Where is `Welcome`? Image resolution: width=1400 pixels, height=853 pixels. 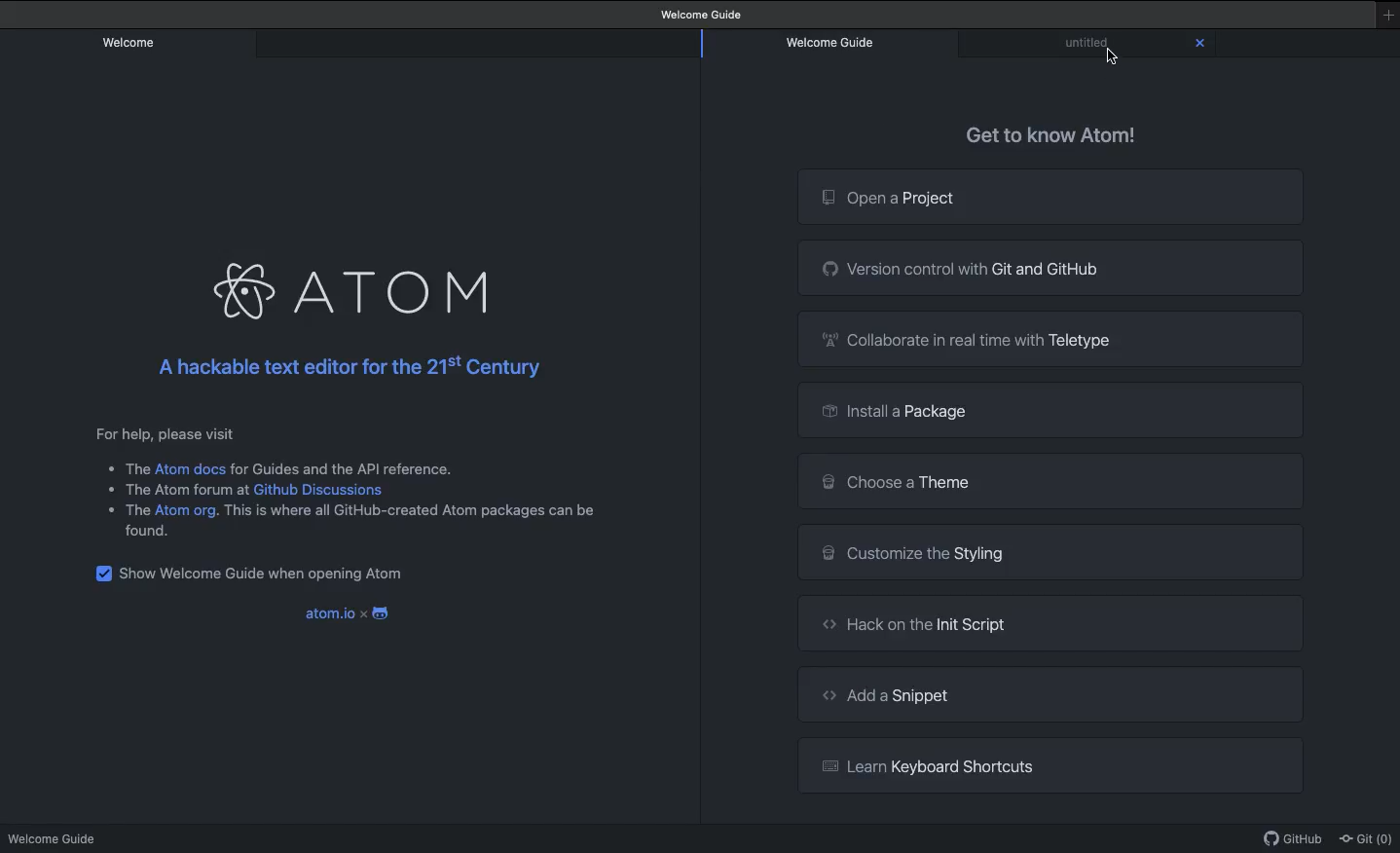 Welcome is located at coordinates (130, 41).